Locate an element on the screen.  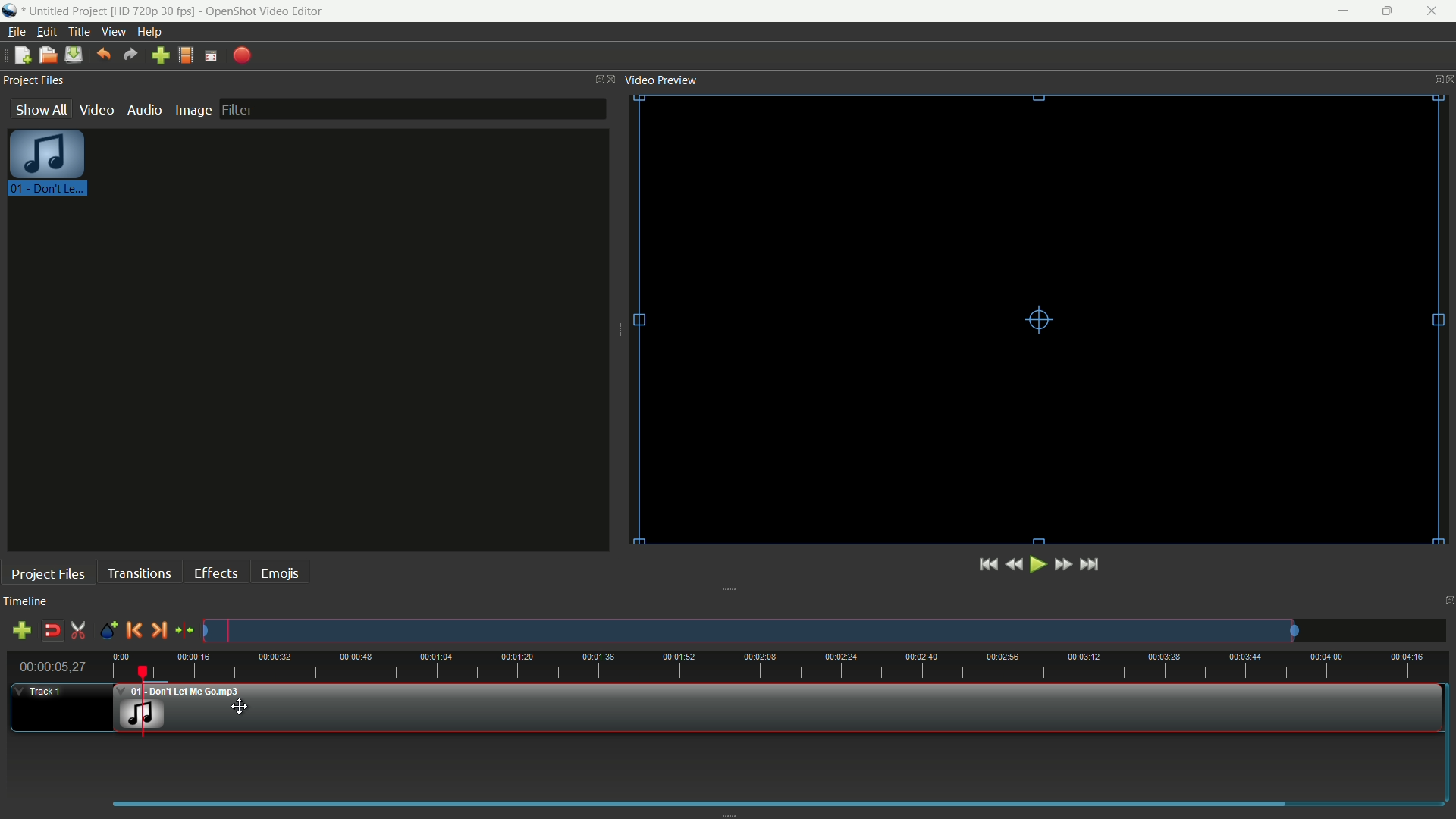
close video preview is located at coordinates (1447, 78).